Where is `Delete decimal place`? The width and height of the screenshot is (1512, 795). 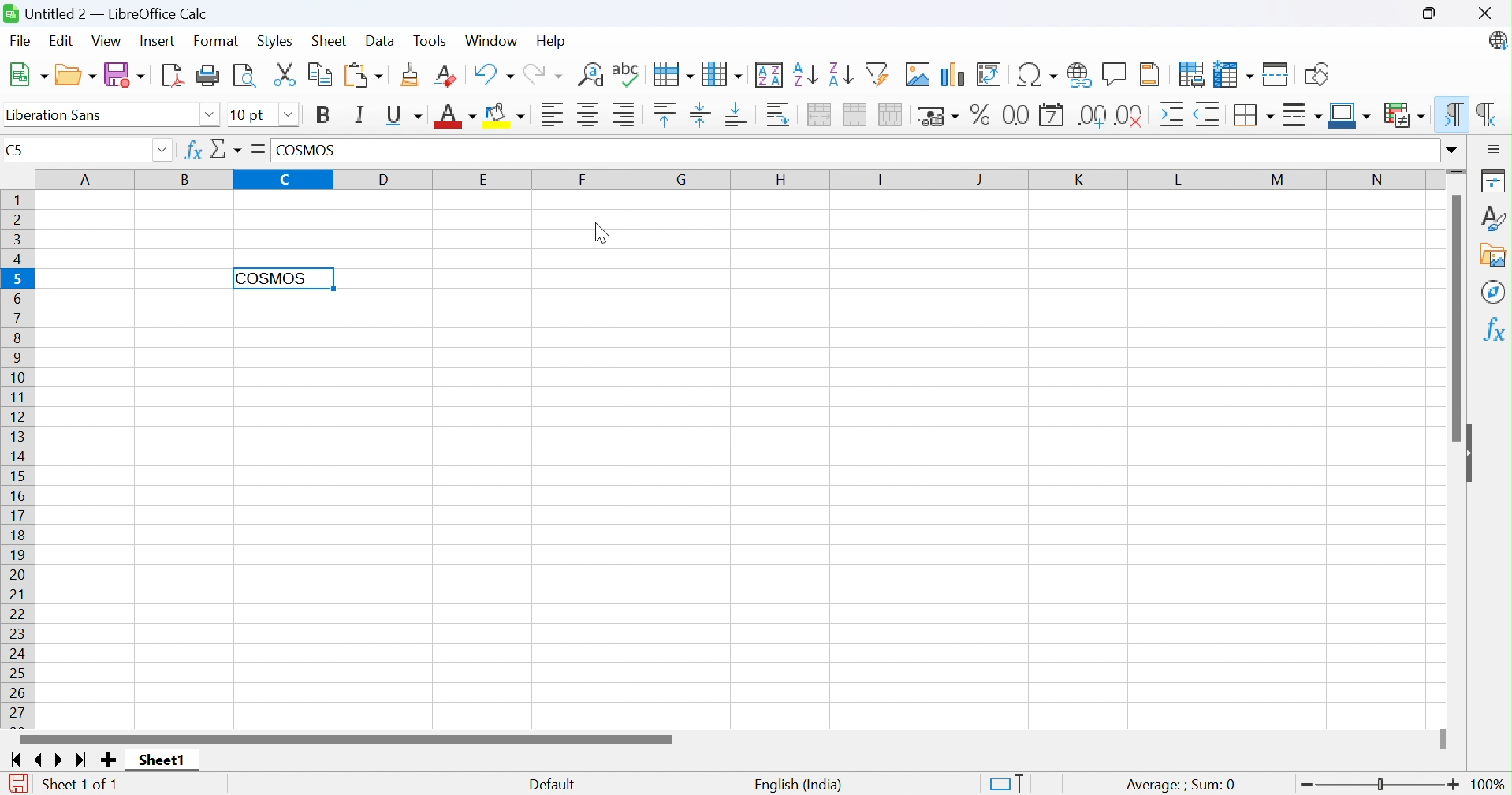 Delete decimal place is located at coordinates (1131, 118).